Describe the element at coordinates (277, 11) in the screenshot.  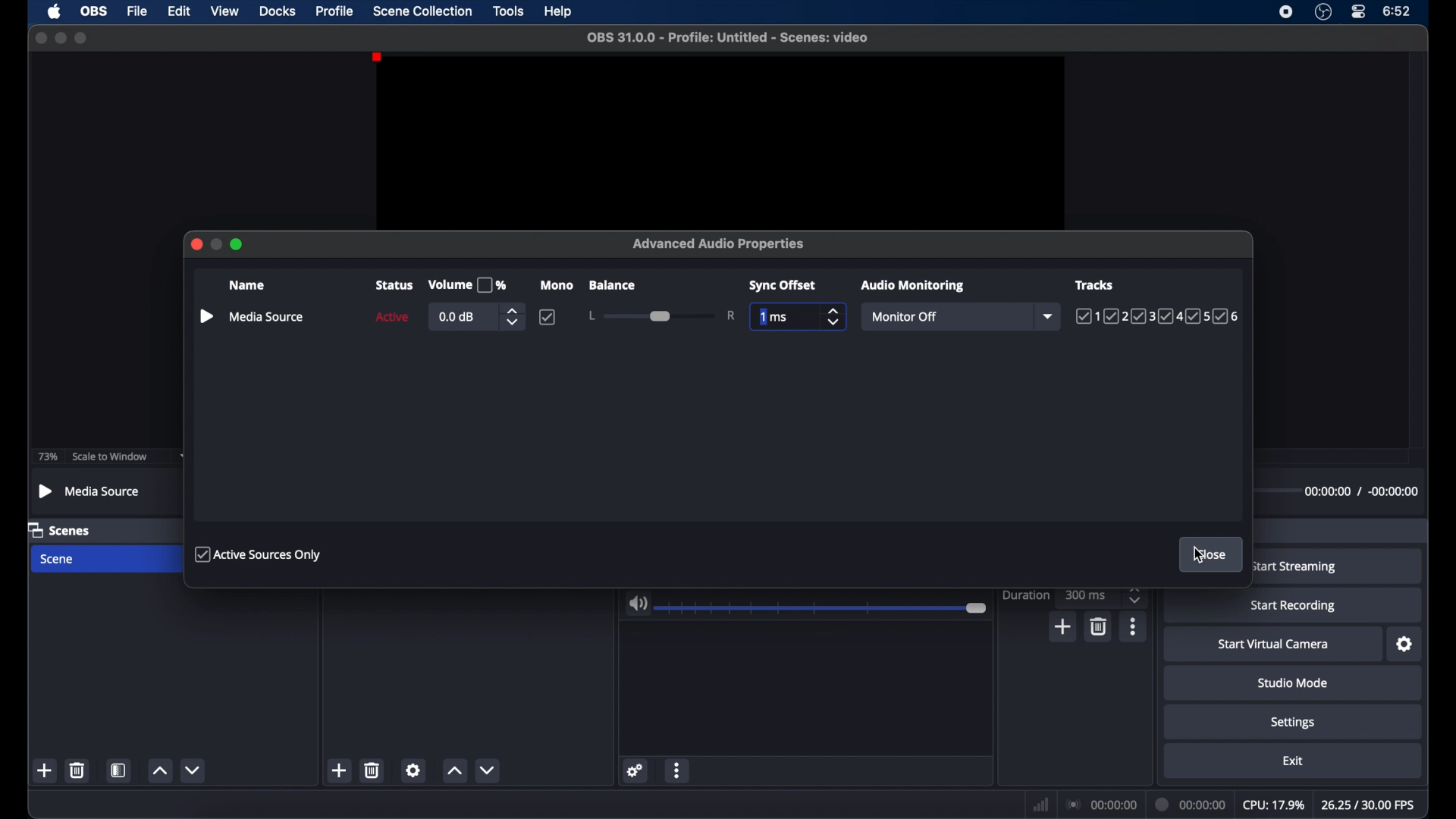
I see `docks` at that location.